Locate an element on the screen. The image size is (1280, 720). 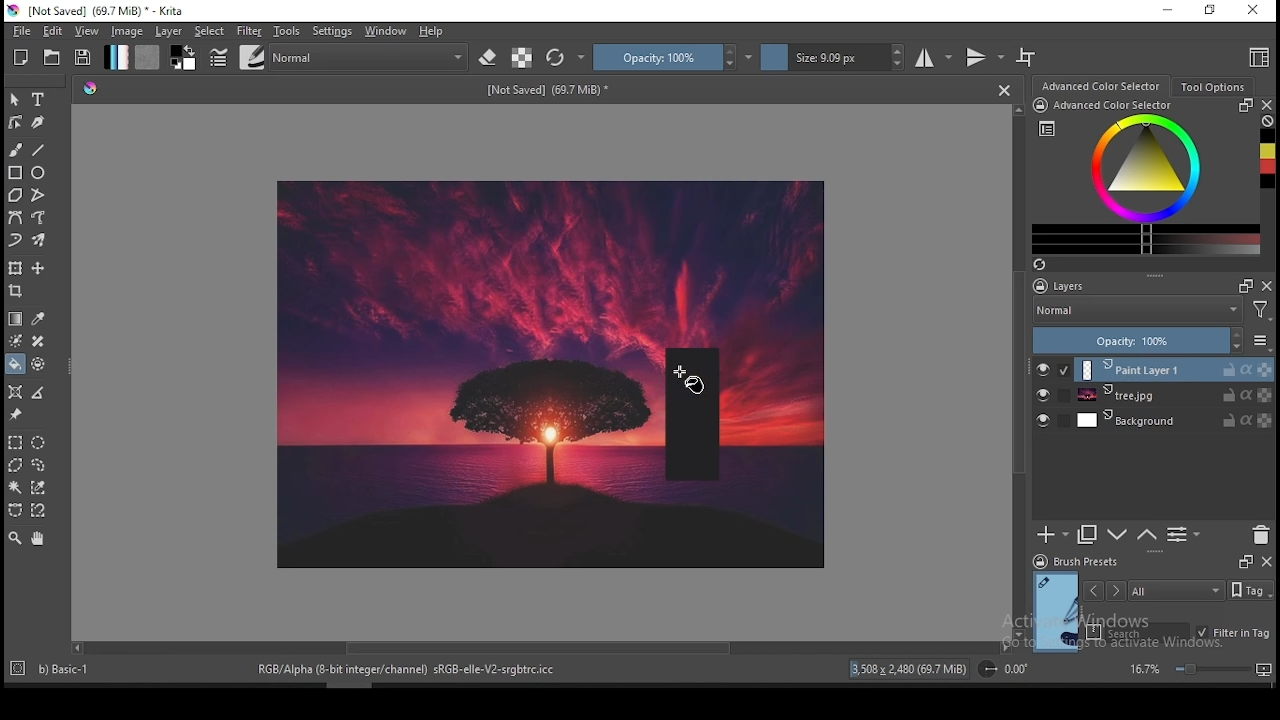
freehand path tool is located at coordinates (38, 218).